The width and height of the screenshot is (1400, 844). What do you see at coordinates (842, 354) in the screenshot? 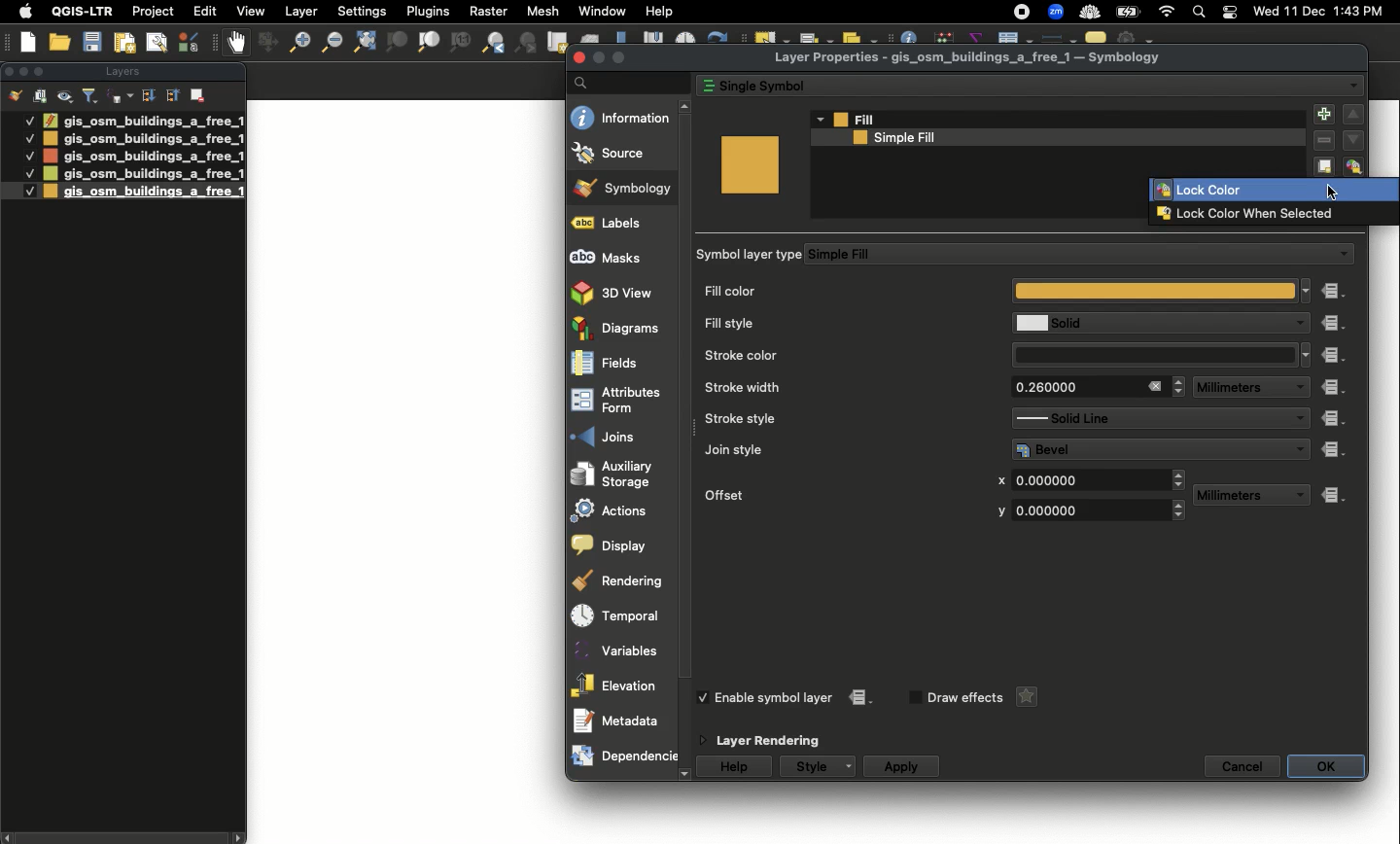
I see `Stroke color` at bounding box center [842, 354].